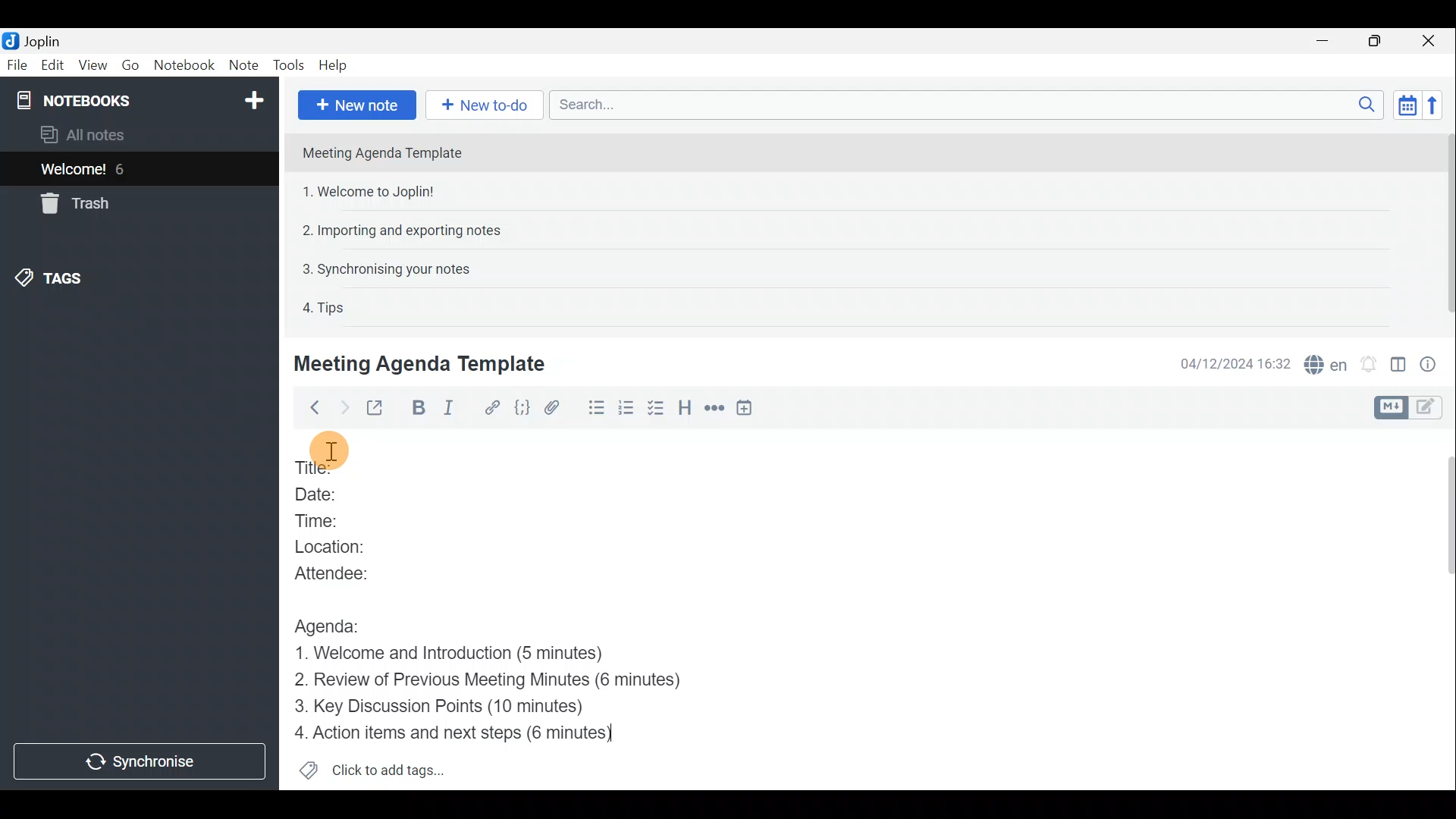 This screenshot has height=819, width=1456. Describe the element at coordinates (42, 40) in the screenshot. I see `Joplin` at that location.